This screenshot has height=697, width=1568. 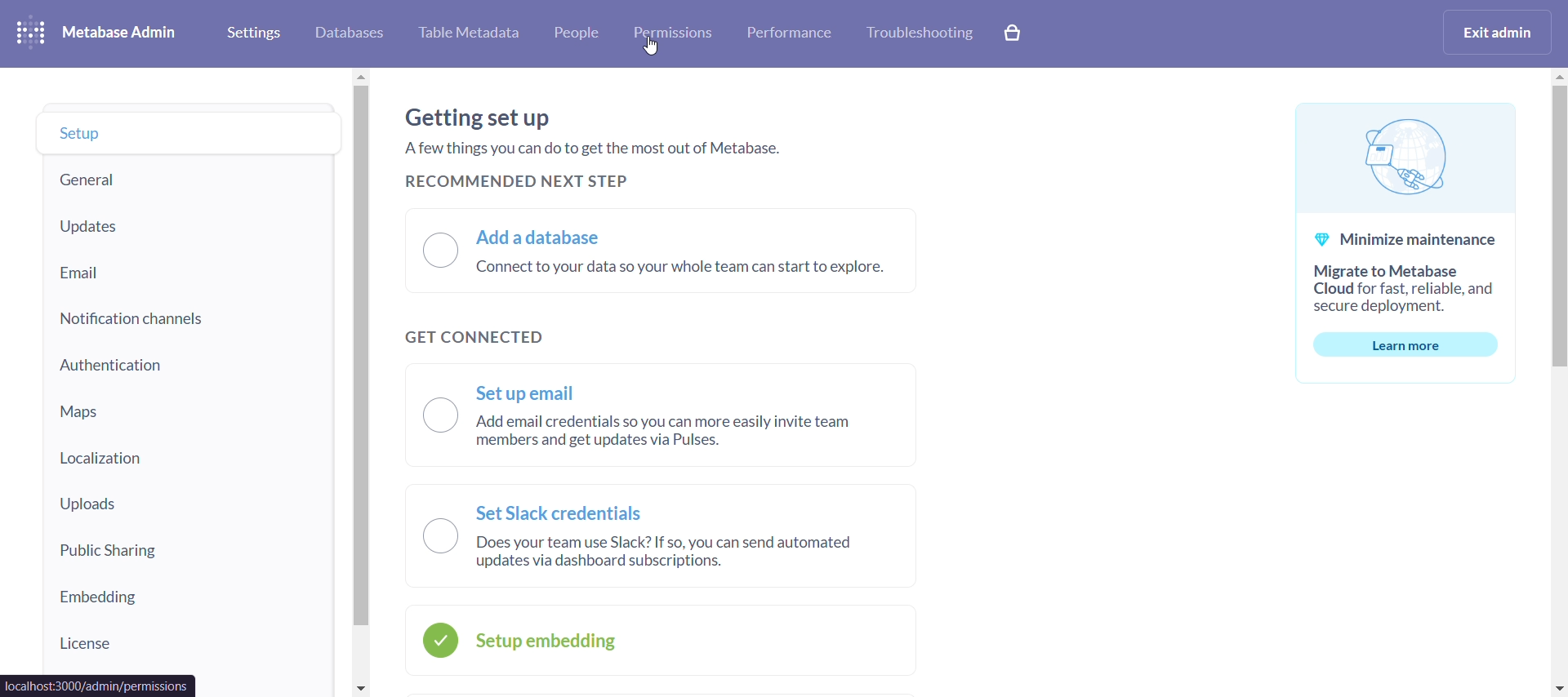 What do you see at coordinates (351, 30) in the screenshot?
I see `database` at bounding box center [351, 30].